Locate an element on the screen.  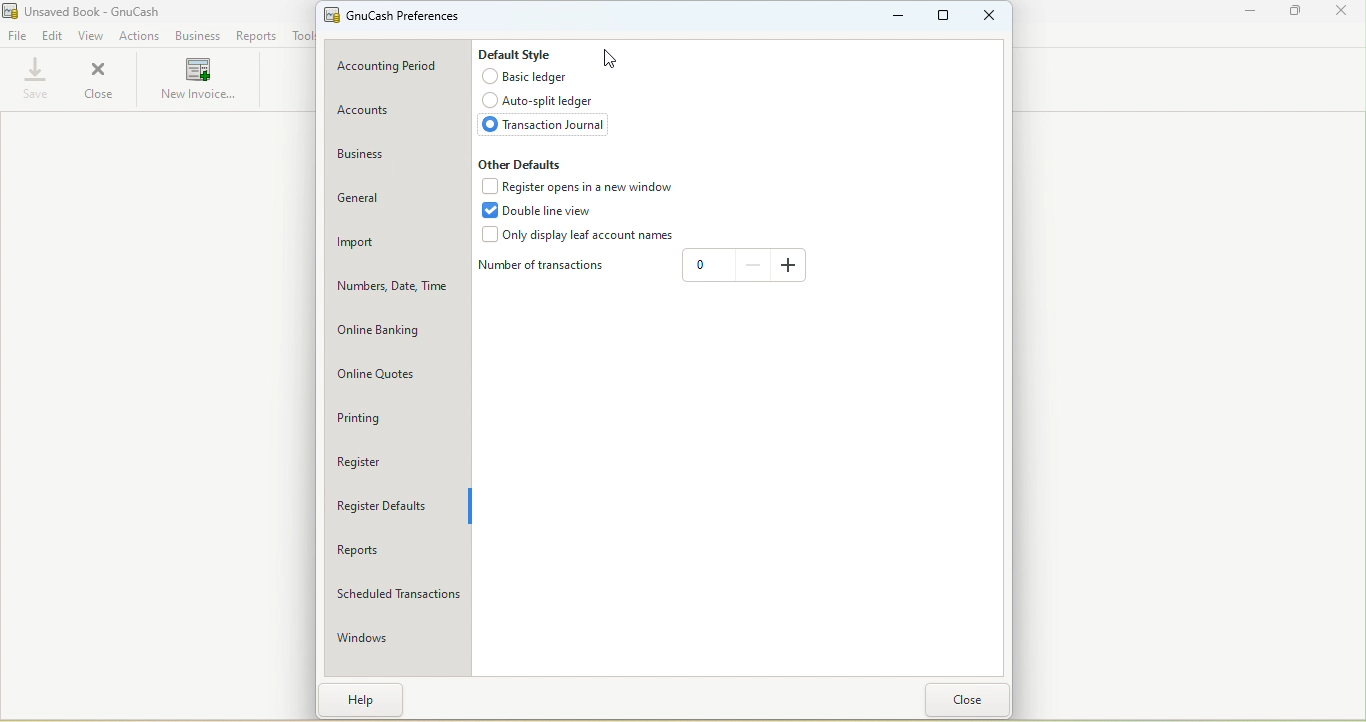
Save is located at coordinates (31, 80).